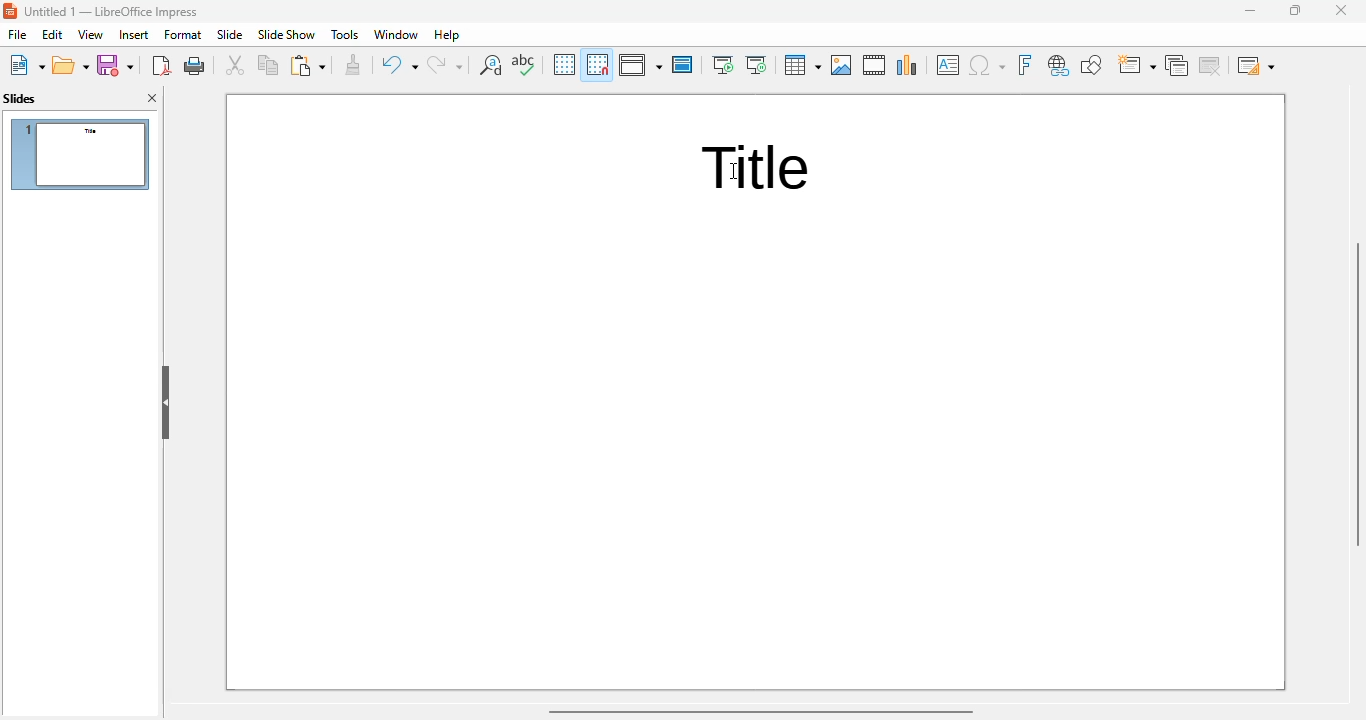  Describe the element at coordinates (19, 99) in the screenshot. I see `slides` at that location.